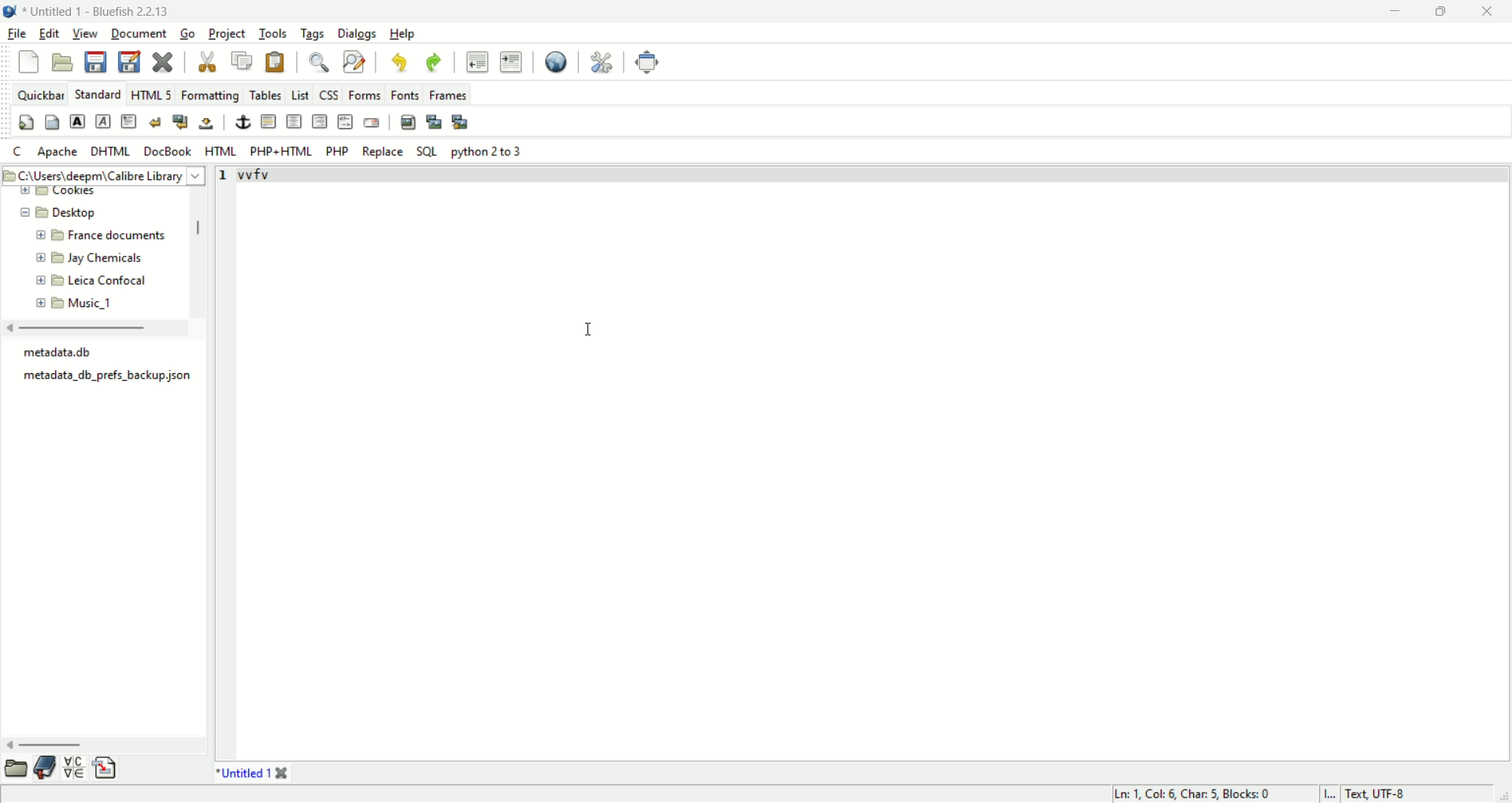  I want to click on right justify, so click(321, 121).